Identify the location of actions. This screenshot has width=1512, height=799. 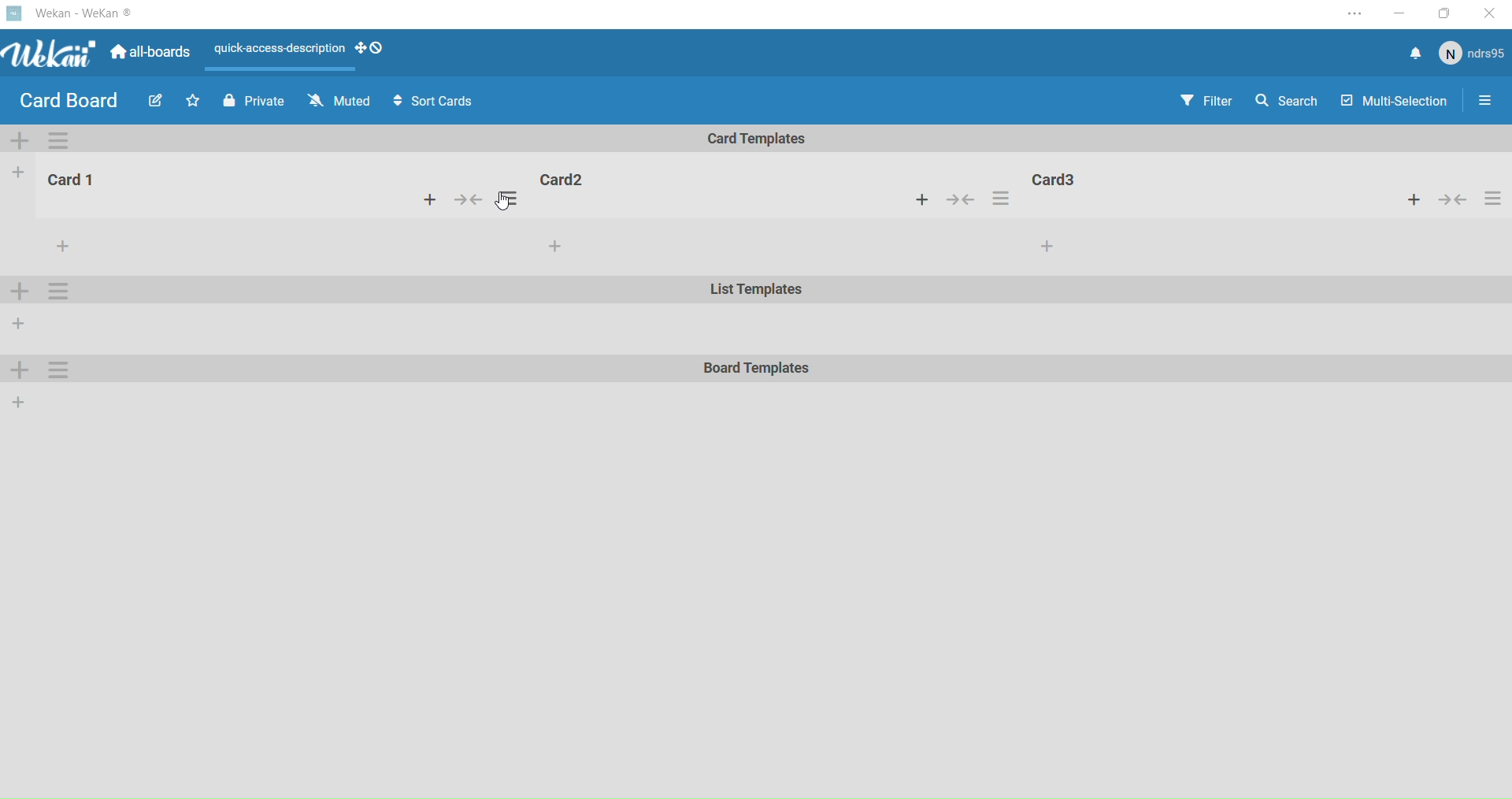
(511, 197).